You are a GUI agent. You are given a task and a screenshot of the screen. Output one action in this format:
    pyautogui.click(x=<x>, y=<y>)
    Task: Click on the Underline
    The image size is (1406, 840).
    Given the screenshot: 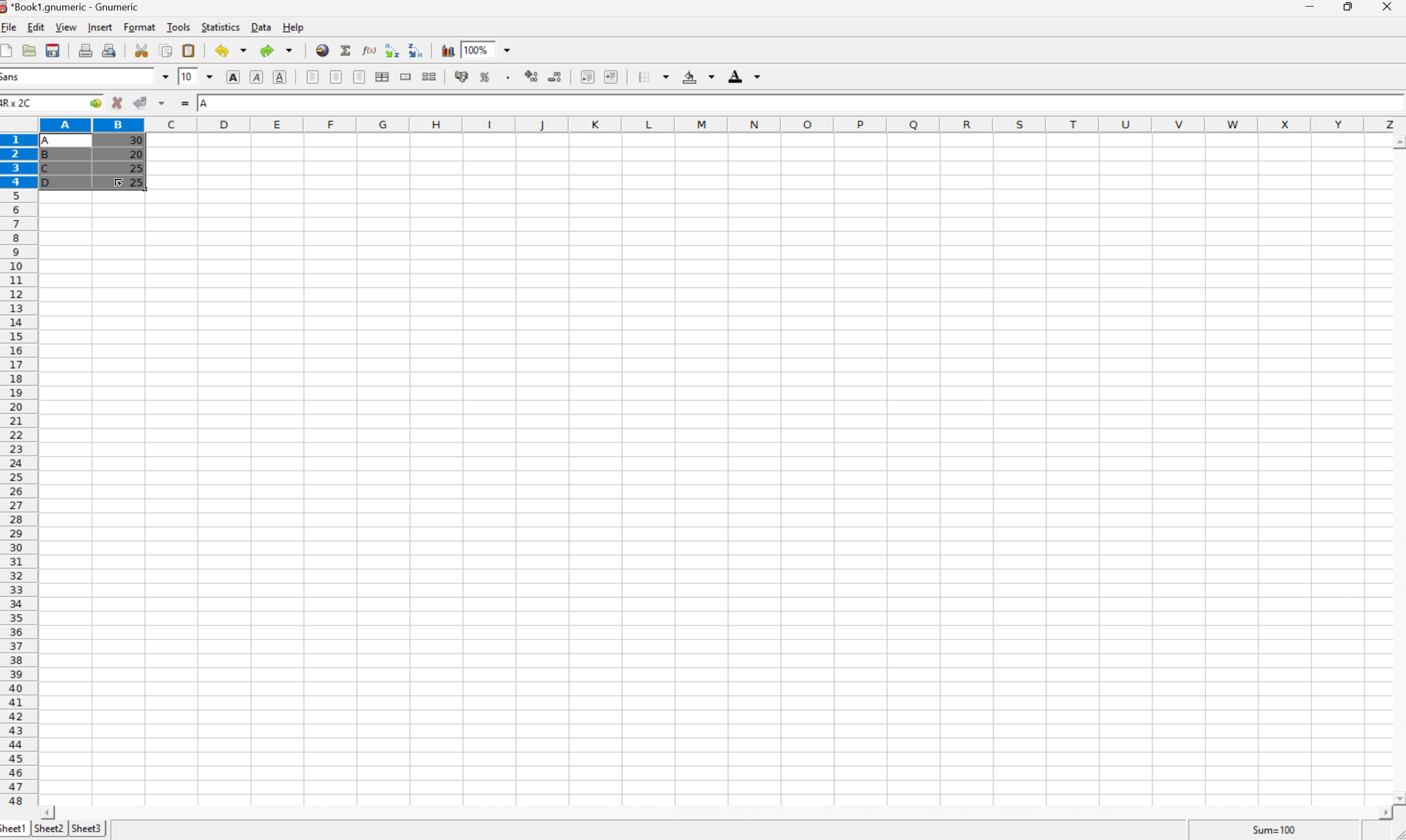 What is the action you would take?
    pyautogui.click(x=279, y=78)
    